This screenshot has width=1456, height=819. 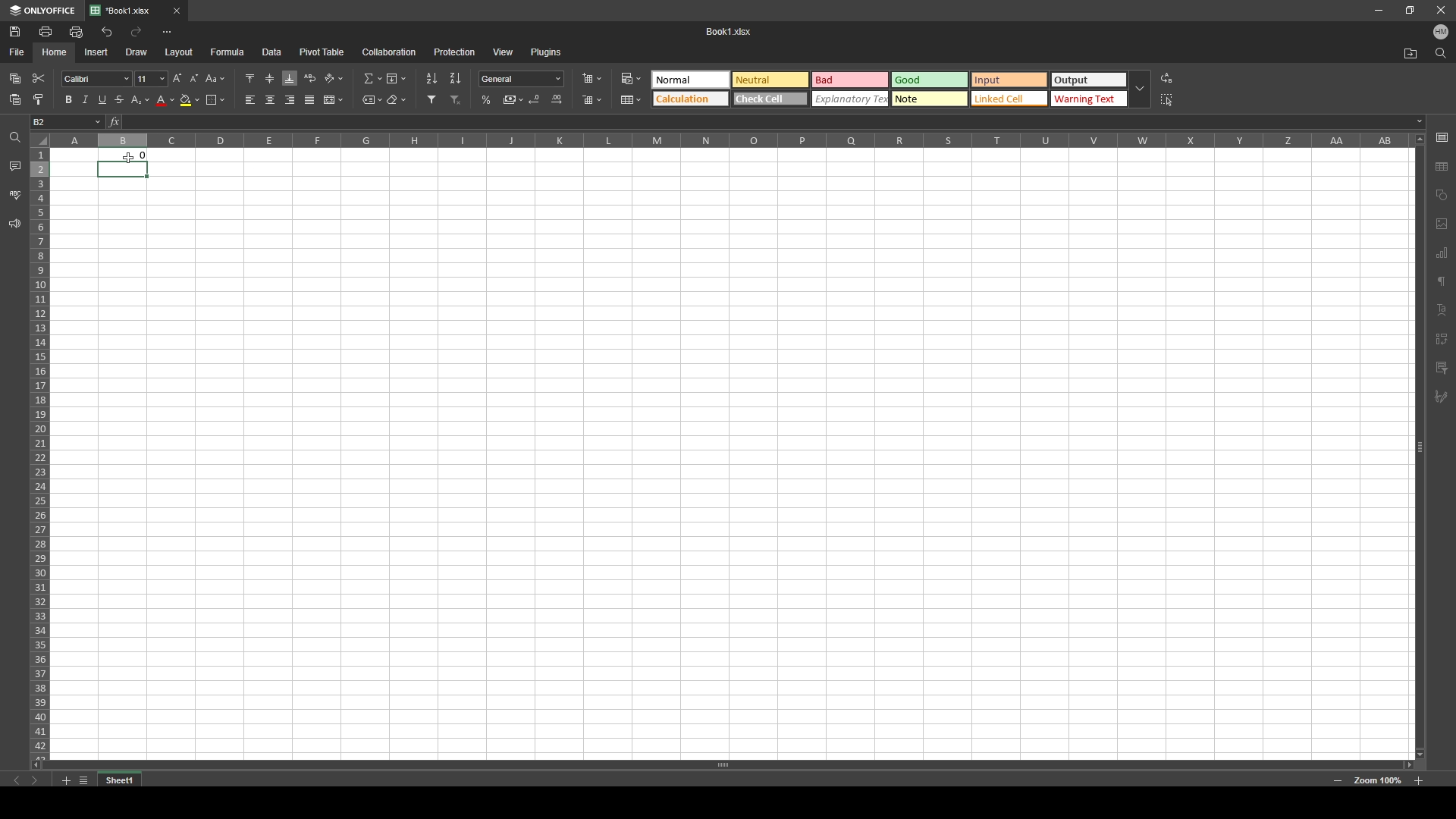 What do you see at coordinates (1442, 224) in the screenshot?
I see `photos` at bounding box center [1442, 224].